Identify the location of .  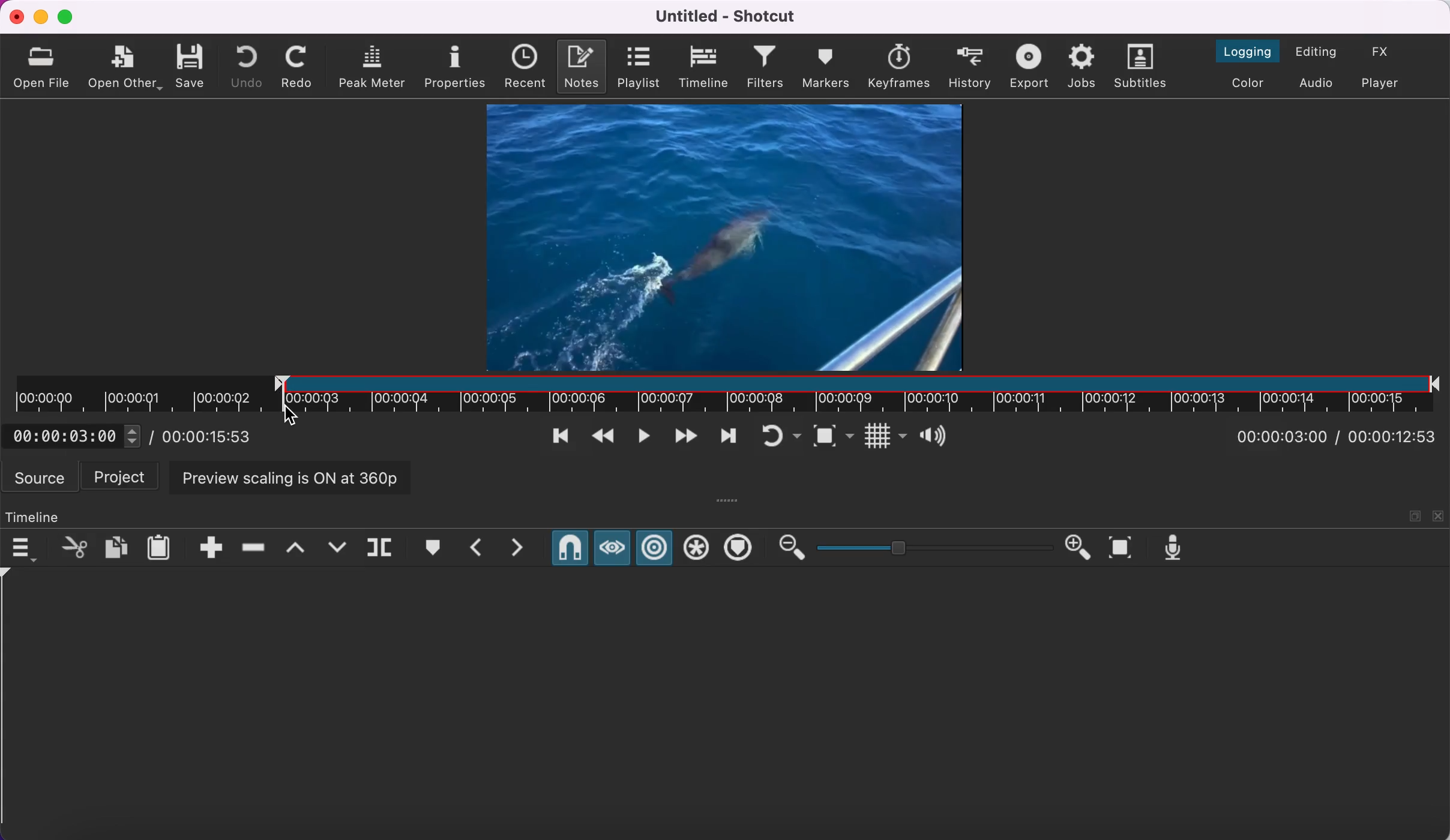
(885, 436).